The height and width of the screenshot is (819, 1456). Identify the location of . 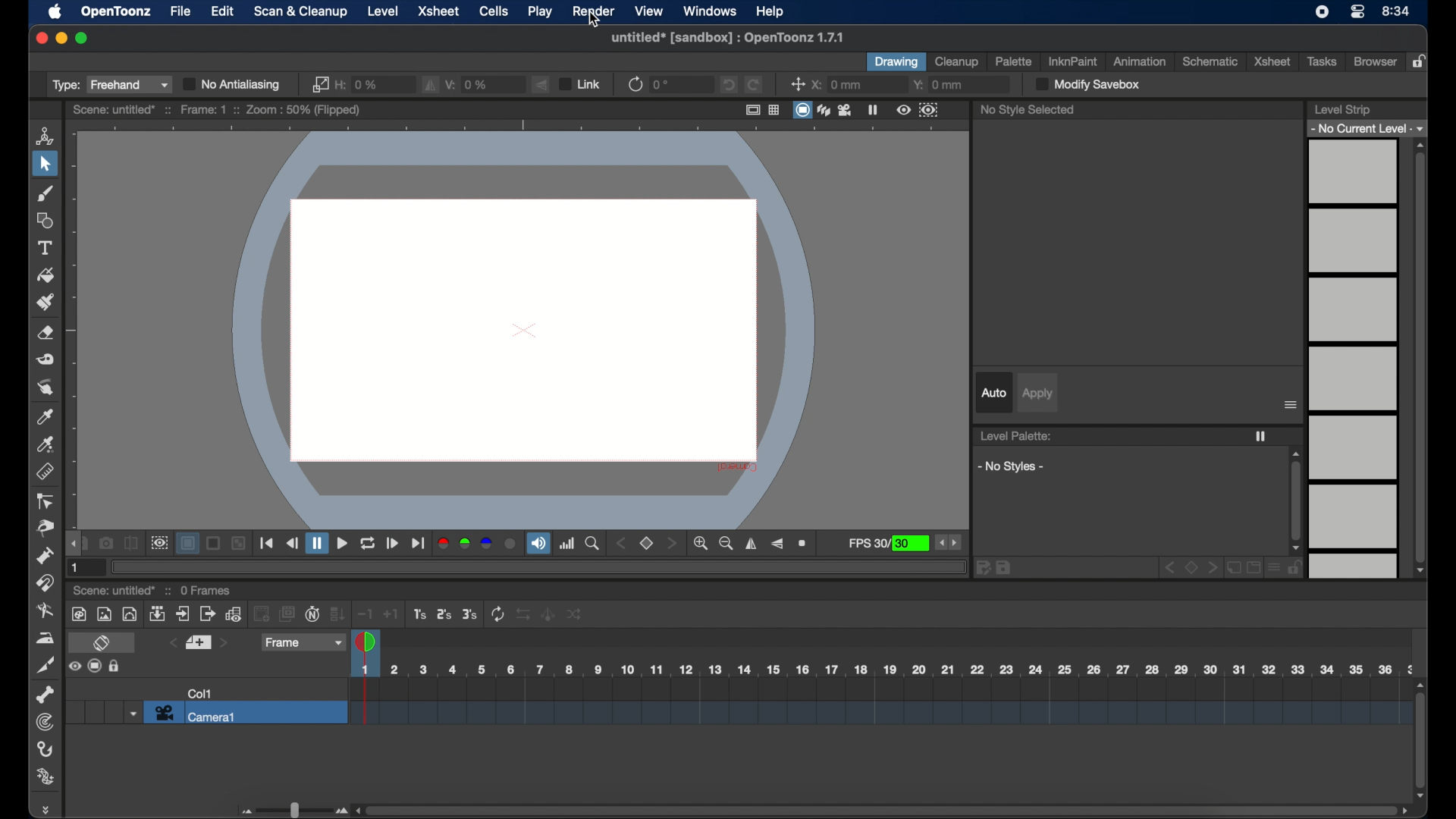
(1277, 569).